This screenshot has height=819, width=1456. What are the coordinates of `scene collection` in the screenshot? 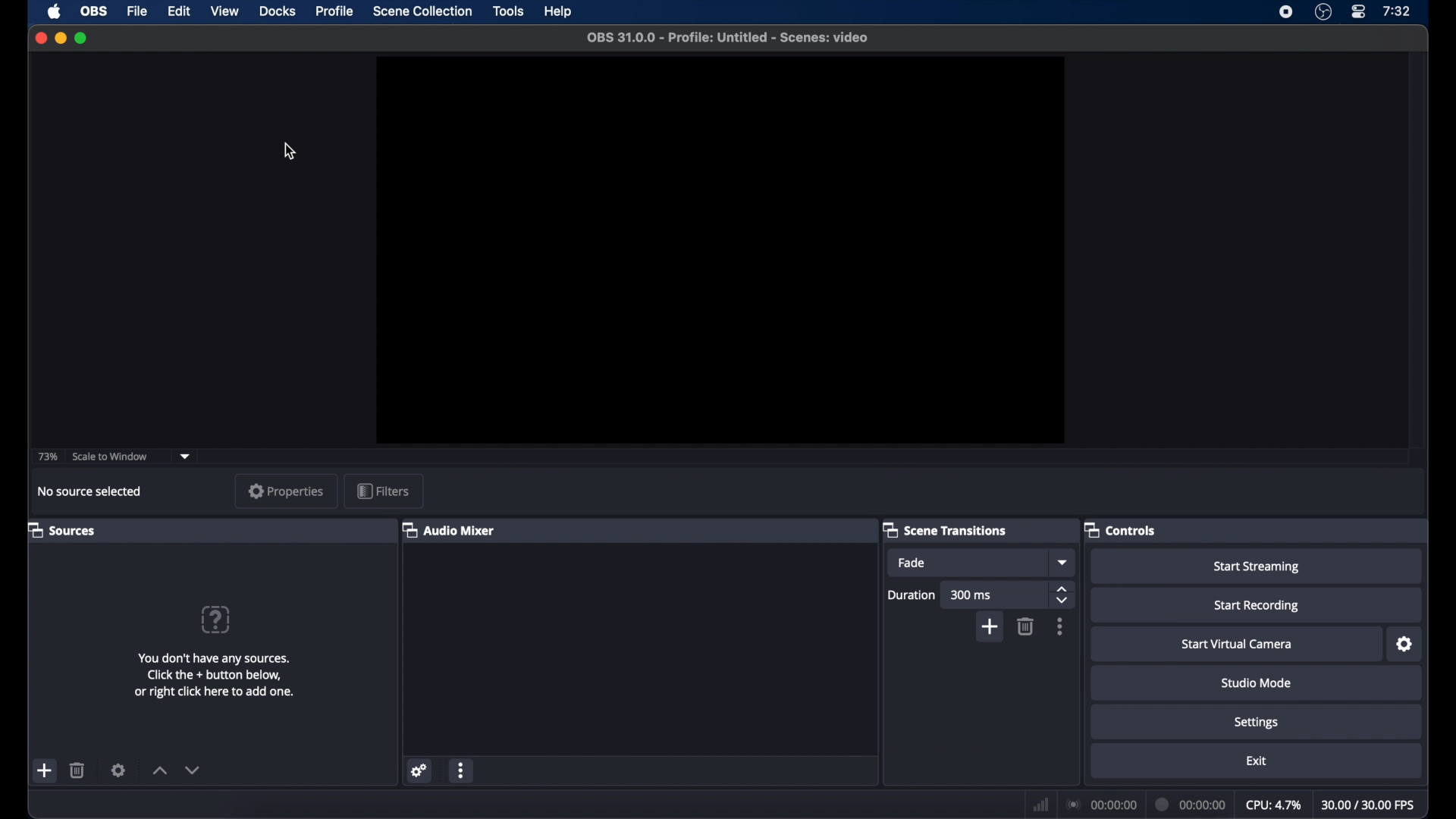 It's located at (424, 11).